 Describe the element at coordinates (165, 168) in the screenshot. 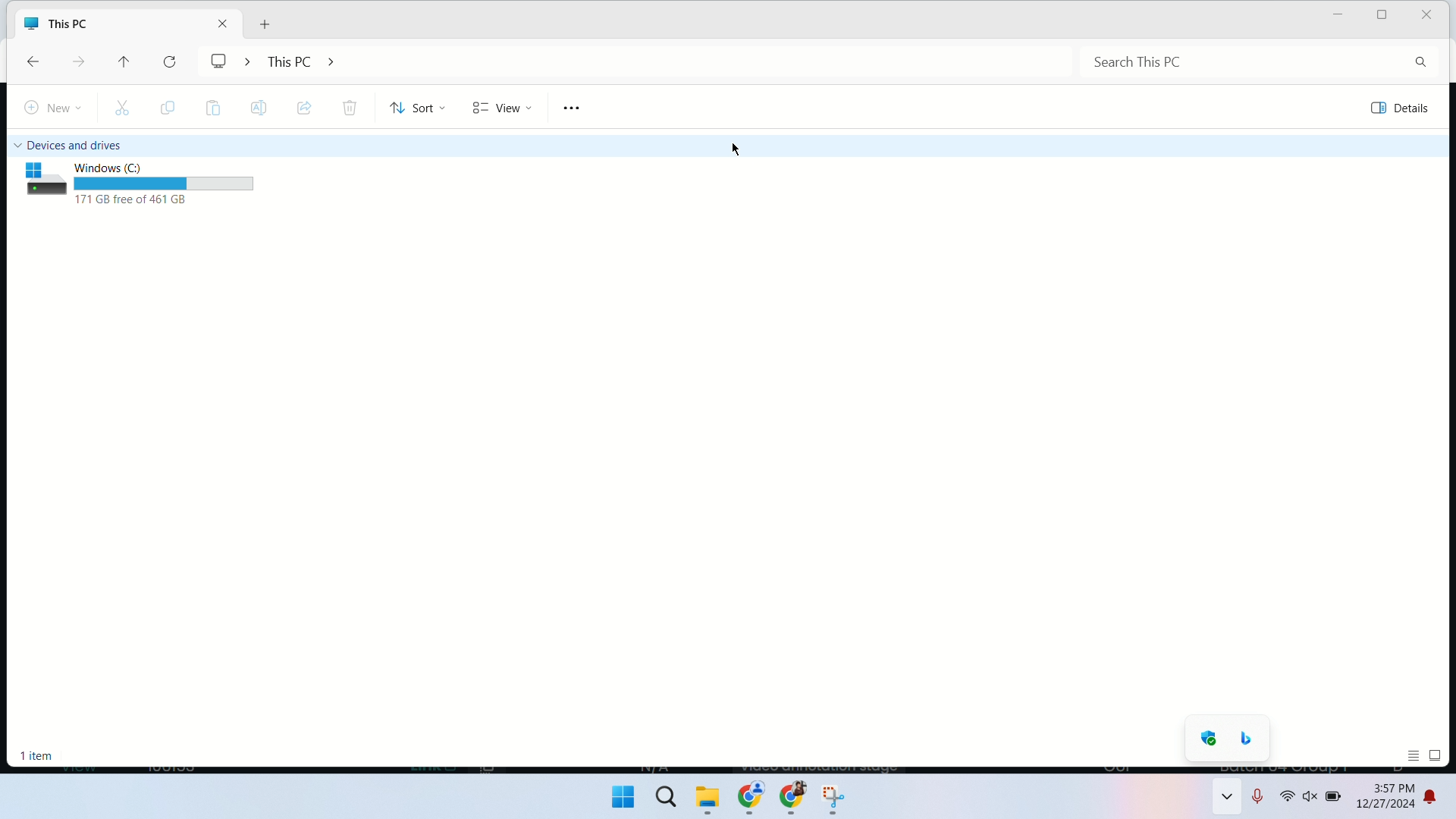

I see `Windows C:` at that location.